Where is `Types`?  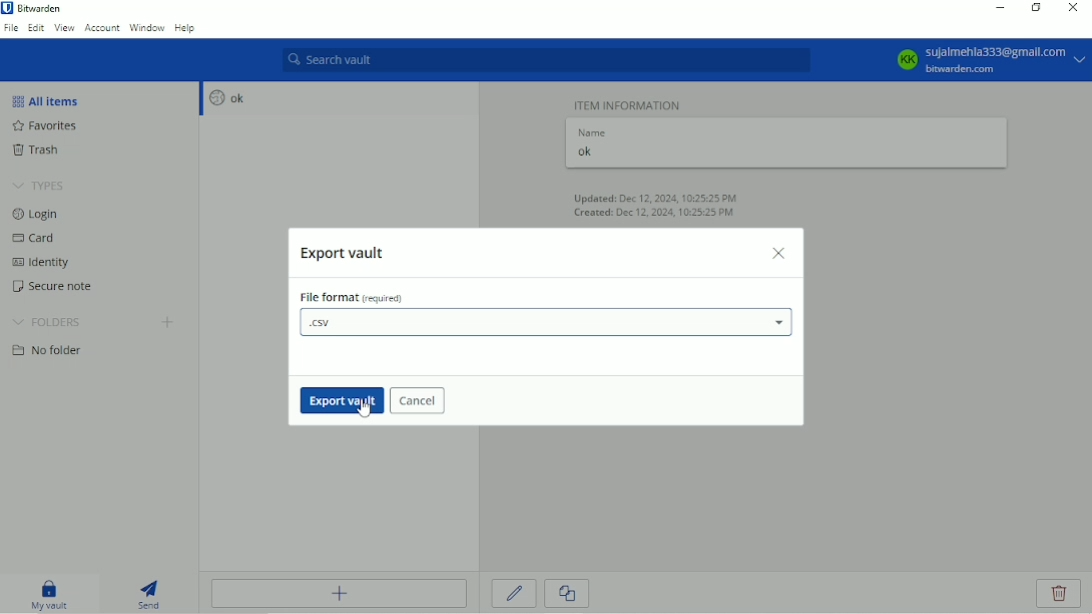
Types is located at coordinates (40, 187).